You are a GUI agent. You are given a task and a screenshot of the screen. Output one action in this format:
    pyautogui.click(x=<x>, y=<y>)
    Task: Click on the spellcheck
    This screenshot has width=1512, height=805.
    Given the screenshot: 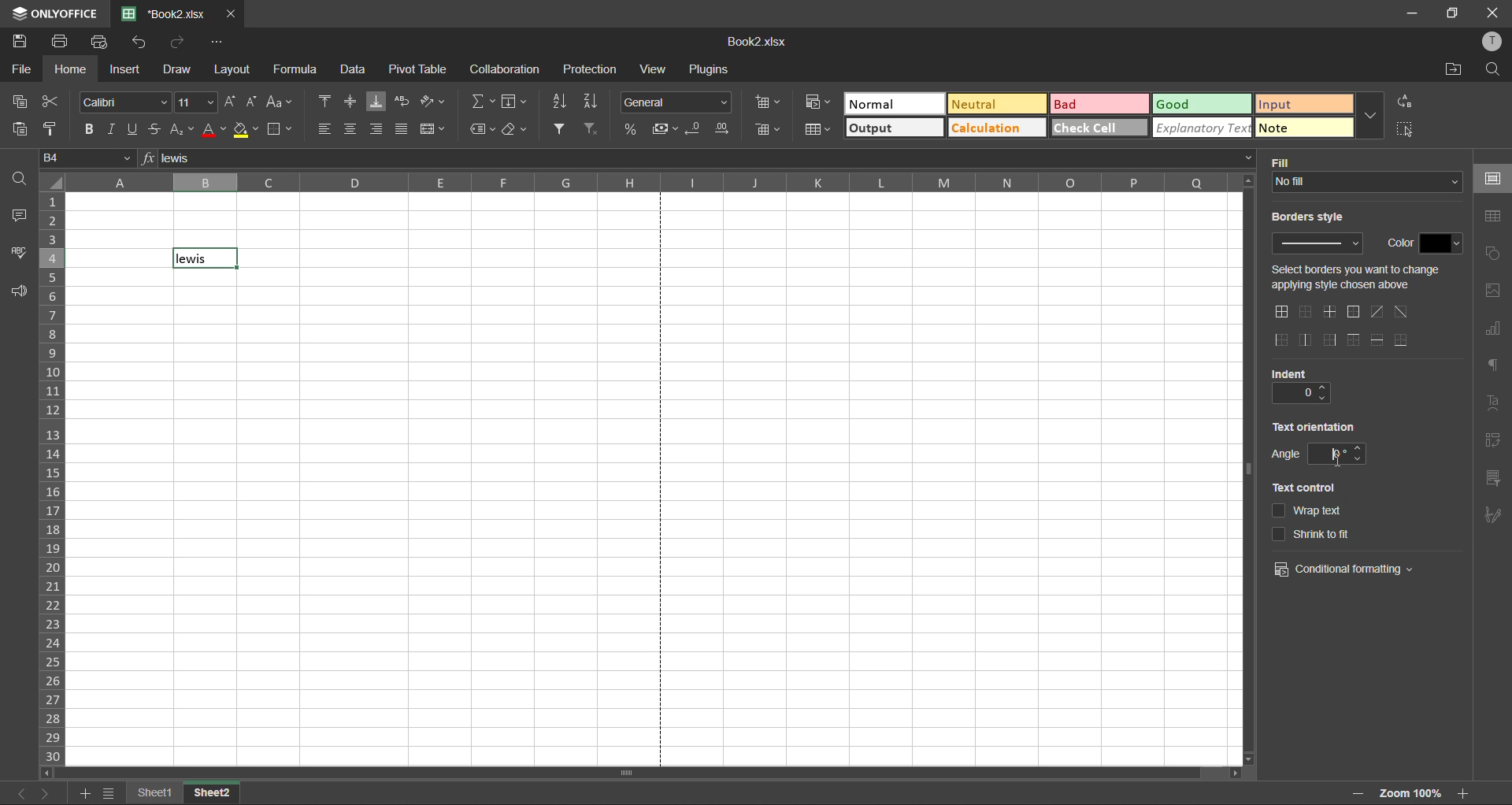 What is the action you would take?
    pyautogui.click(x=19, y=252)
    